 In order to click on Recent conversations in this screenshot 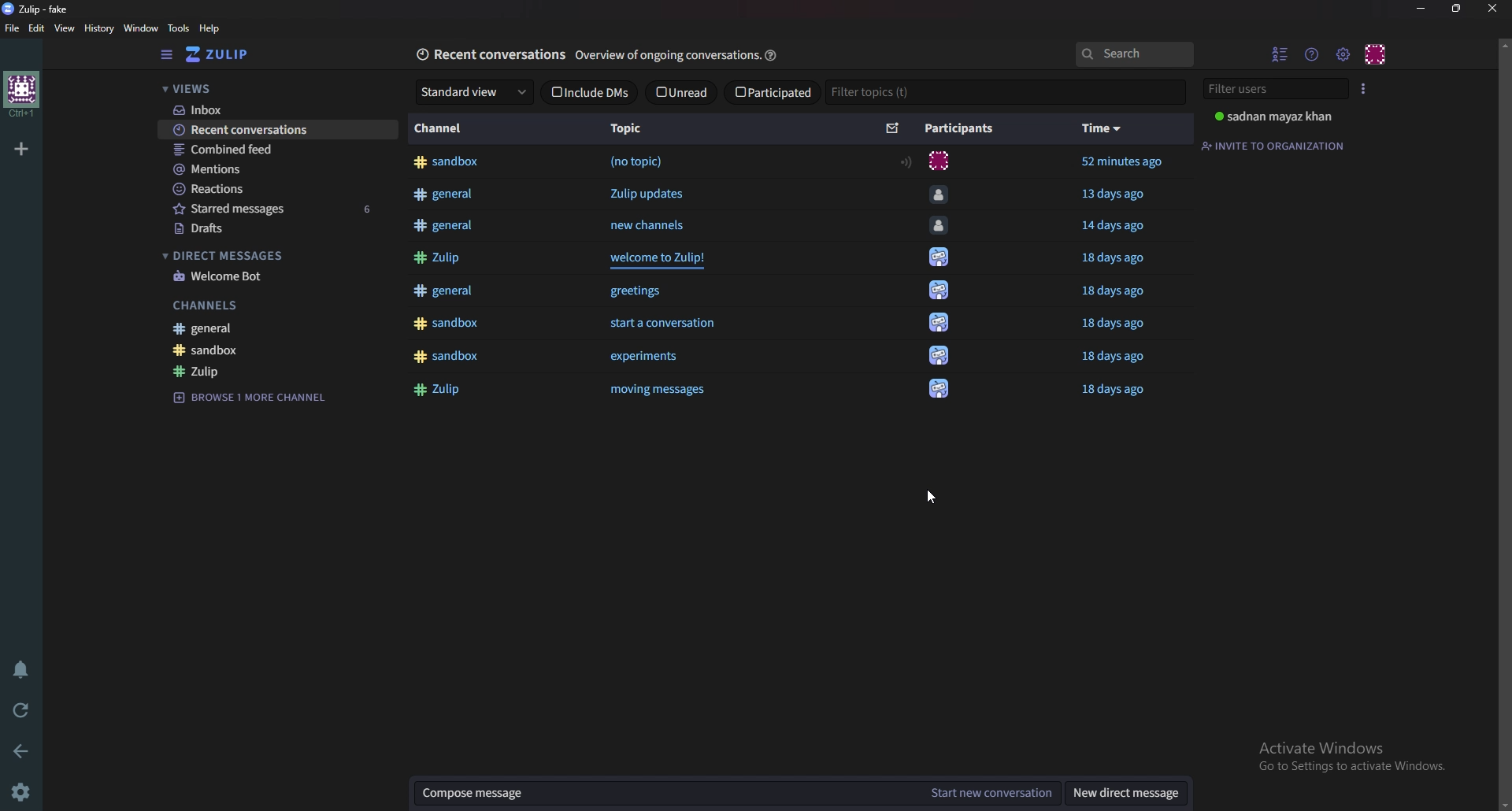, I will do `click(276, 130)`.